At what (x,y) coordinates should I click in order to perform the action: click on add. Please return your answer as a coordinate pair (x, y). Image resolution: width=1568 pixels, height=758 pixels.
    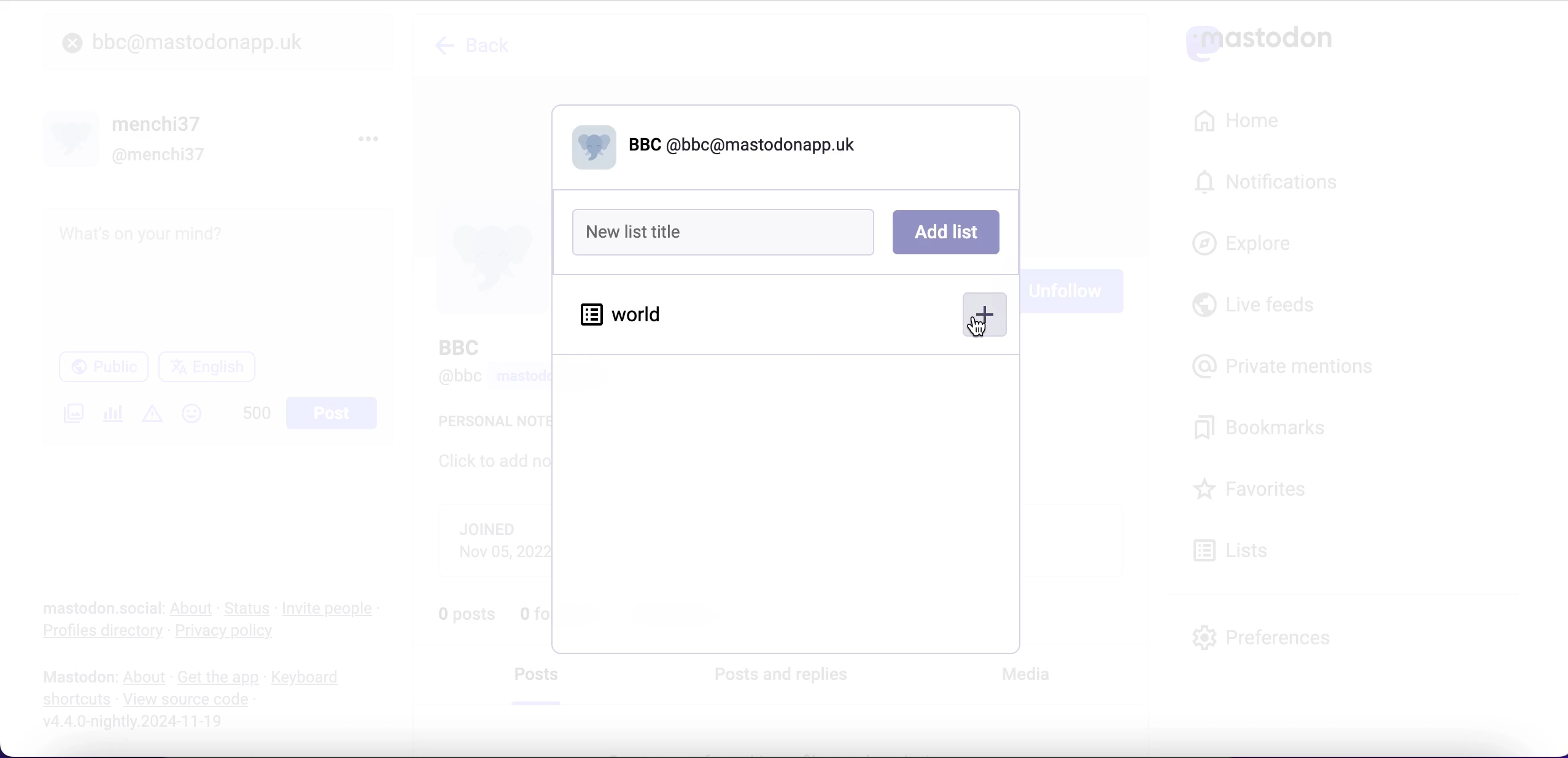
    Looking at the image, I should click on (994, 305).